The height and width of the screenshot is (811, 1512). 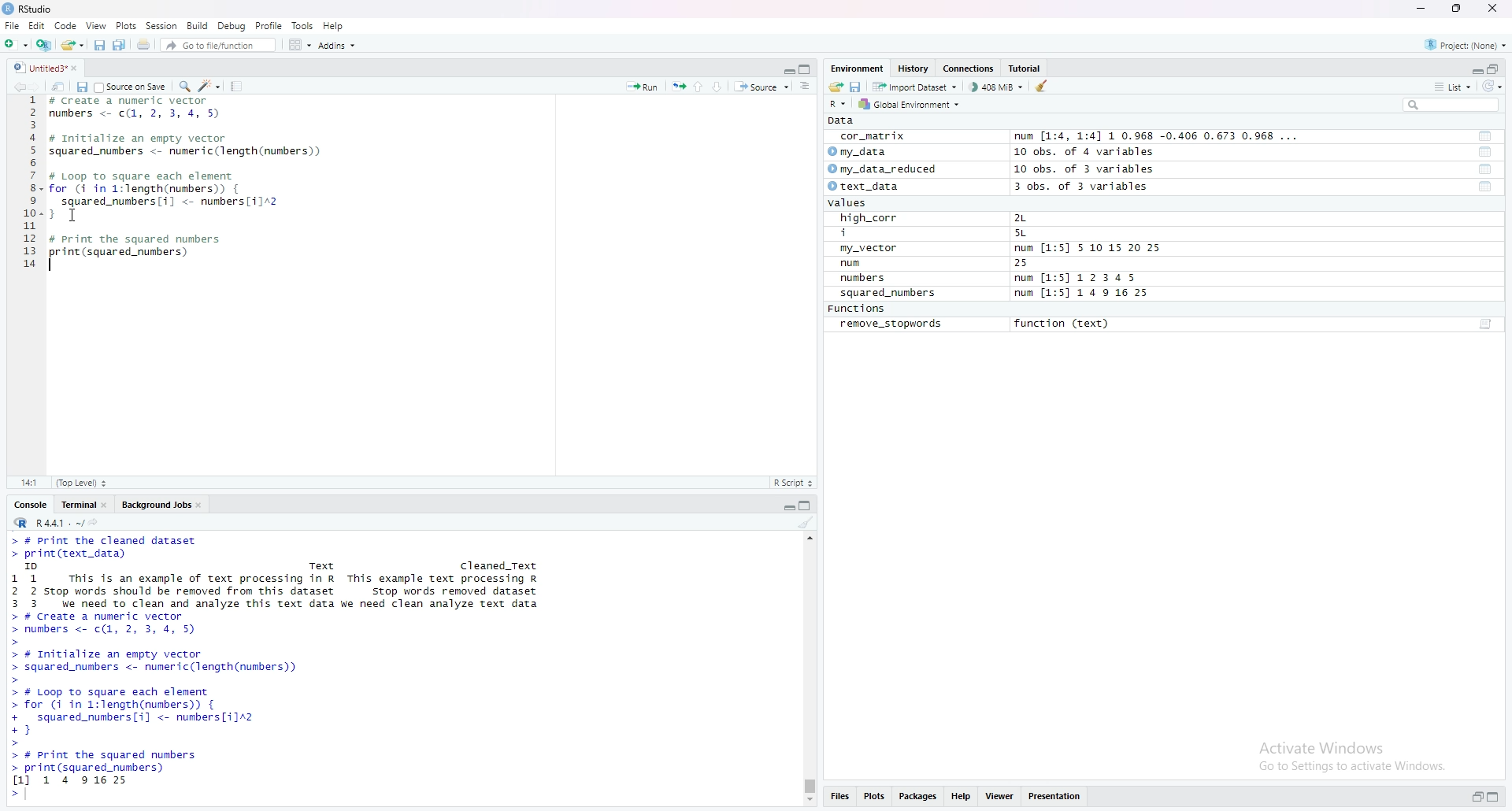 What do you see at coordinates (120, 43) in the screenshot?
I see `Save All open documents` at bounding box center [120, 43].